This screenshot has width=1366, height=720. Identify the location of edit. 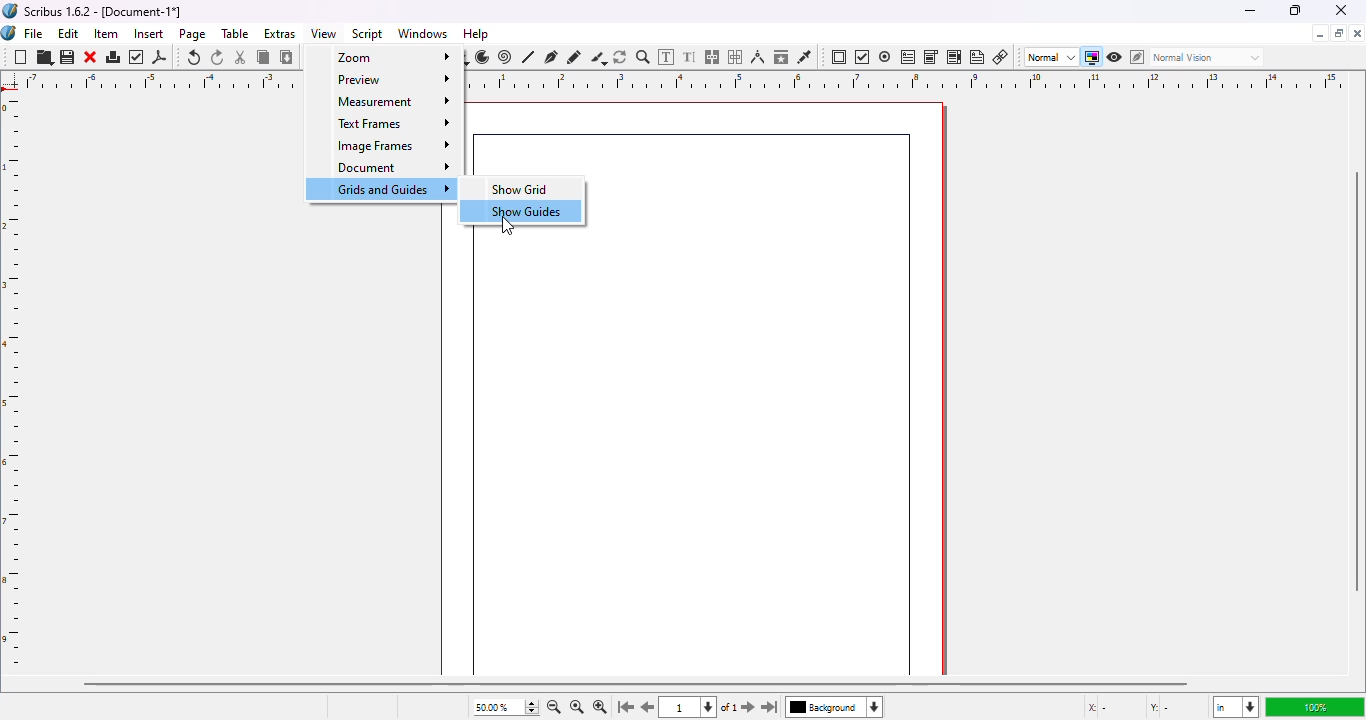
(68, 33).